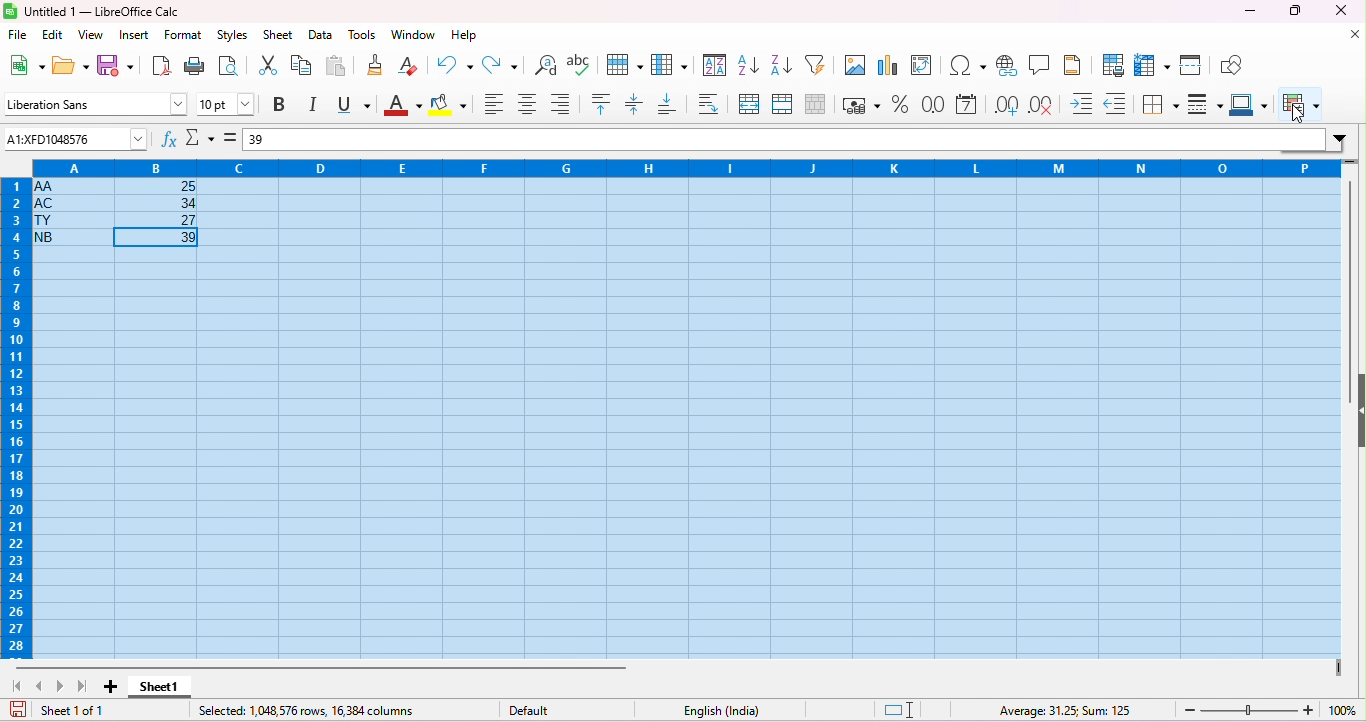 The image size is (1366, 722). What do you see at coordinates (315, 105) in the screenshot?
I see `italics` at bounding box center [315, 105].